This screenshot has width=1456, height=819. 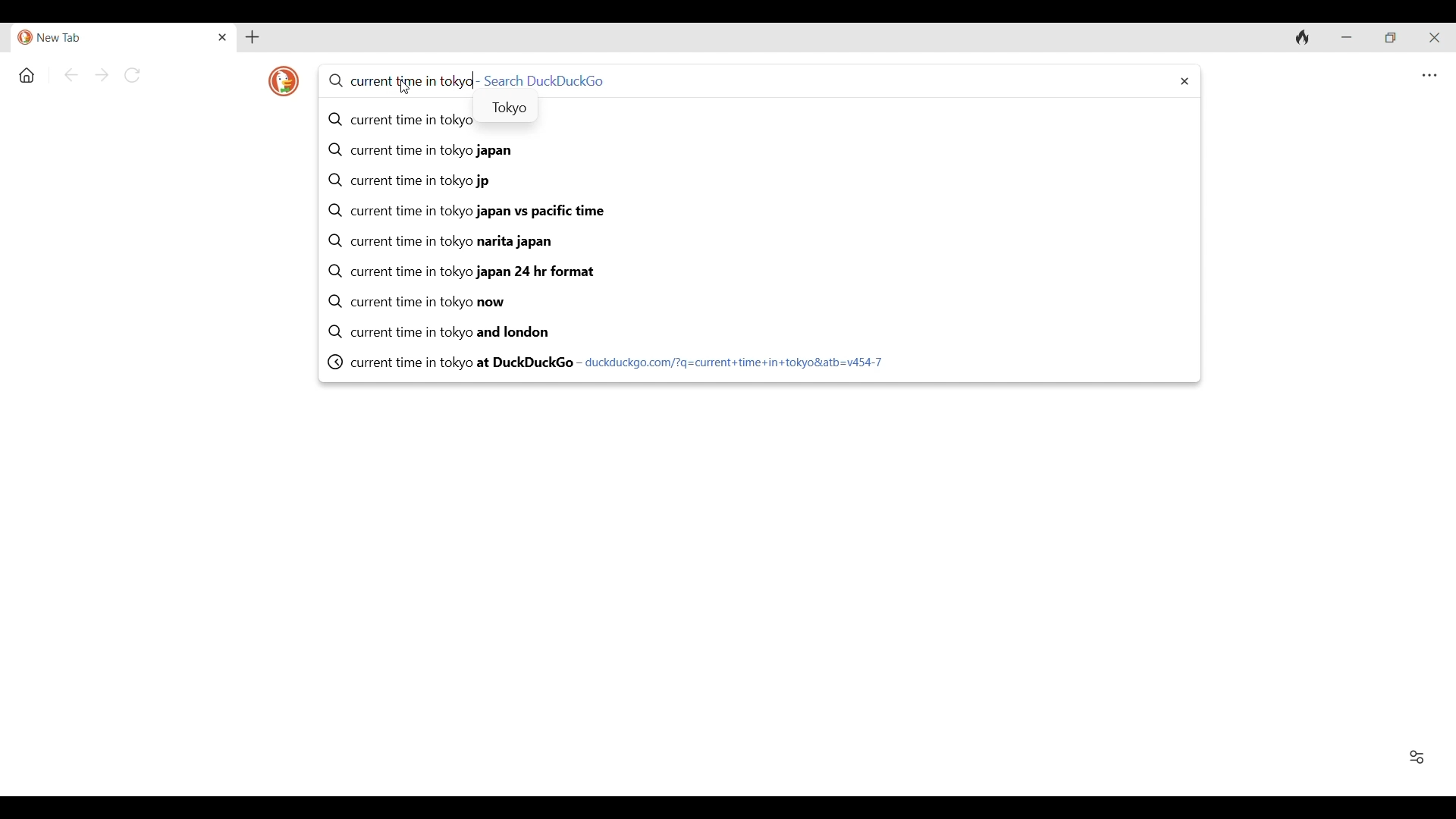 What do you see at coordinates (1429, 75) in the screenshot?
I see `Browser settings` at bounding box center [1429, 75].